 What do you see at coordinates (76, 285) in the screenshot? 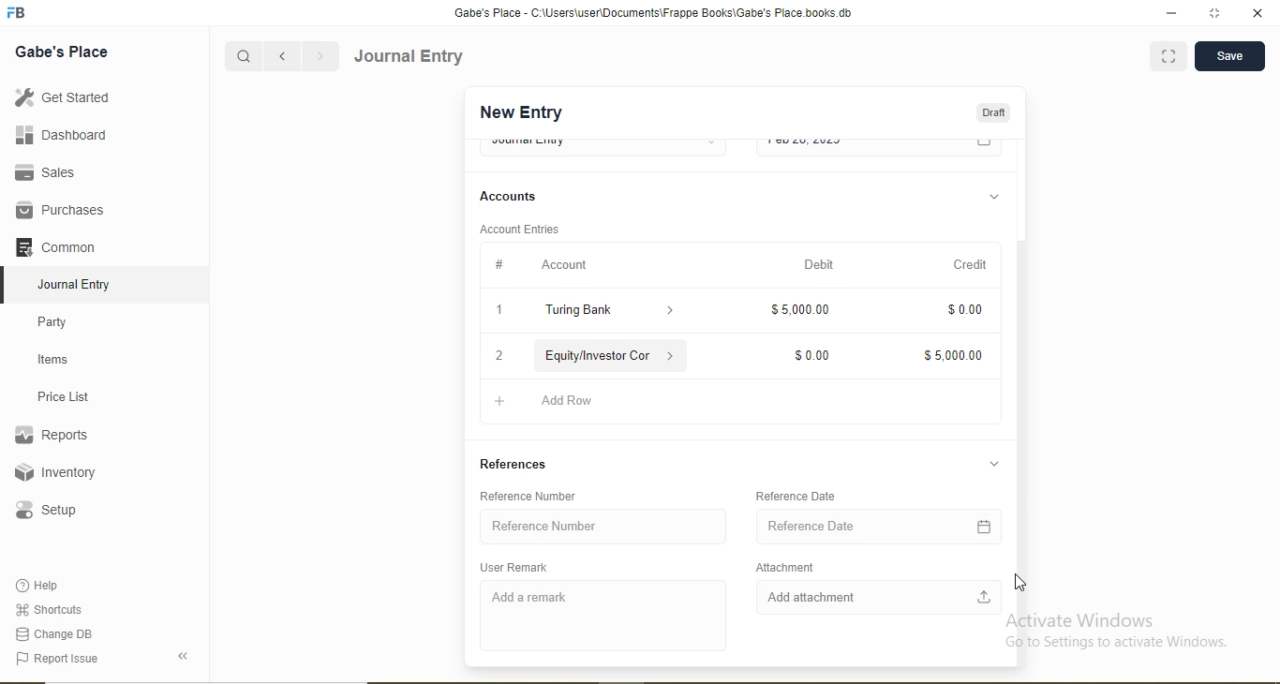
I see `Journal Entry` at bounding box center [76, 285].